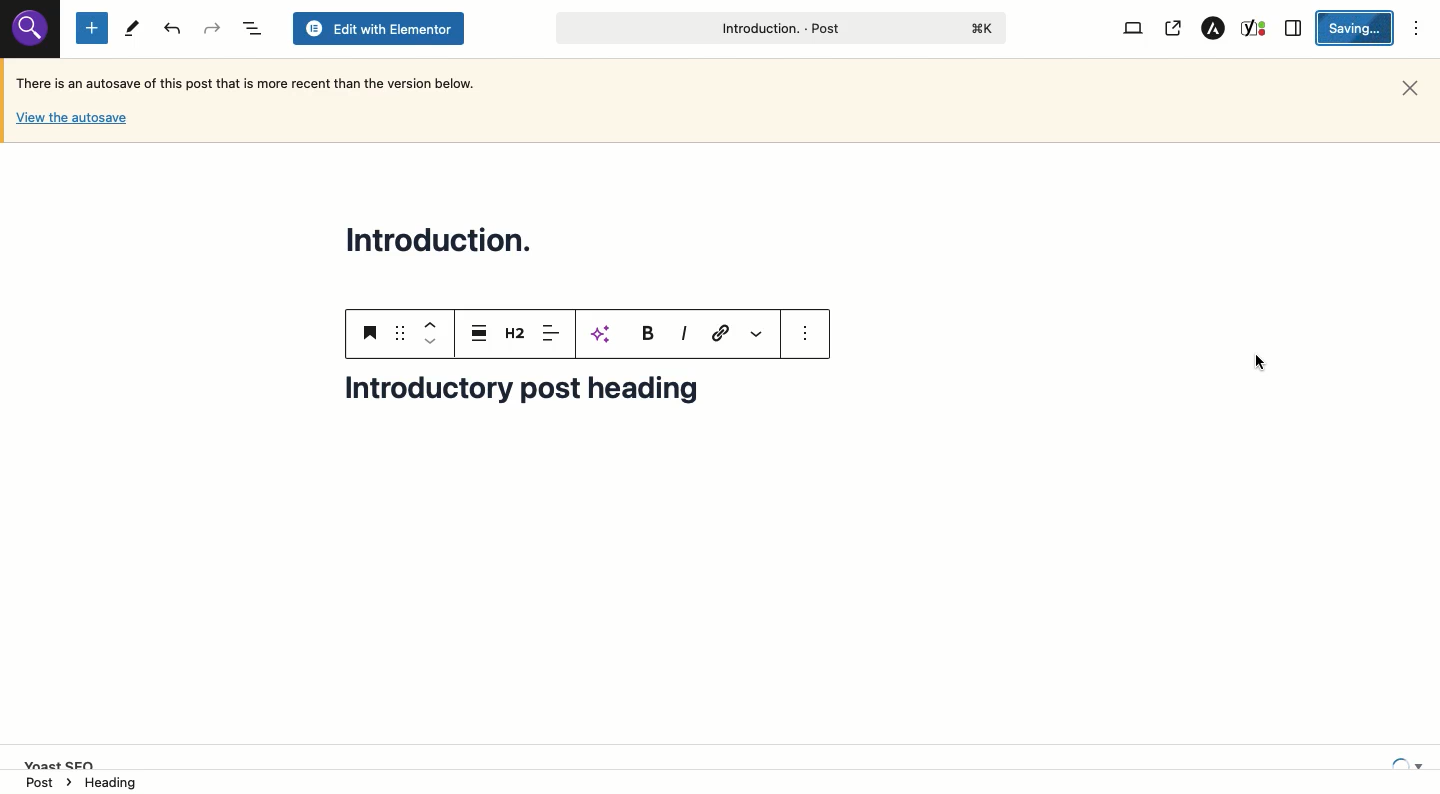  Describe the element at coordinates (252, 82) in the screenshot. I see `Autosave text` at that location.